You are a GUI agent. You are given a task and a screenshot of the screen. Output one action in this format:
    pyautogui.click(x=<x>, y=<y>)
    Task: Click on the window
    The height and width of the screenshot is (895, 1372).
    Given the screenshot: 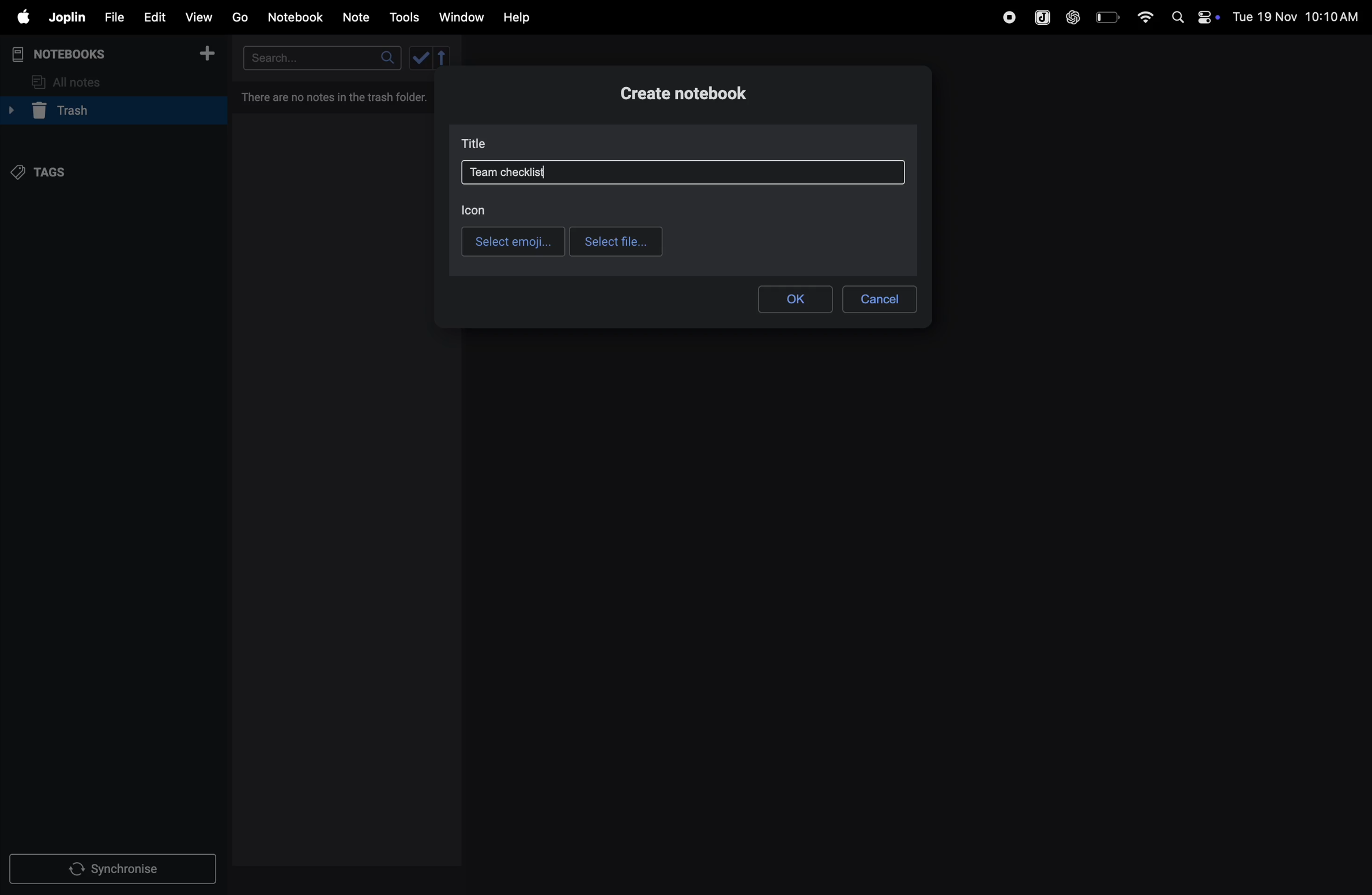 What is the action you would take?
    pyautogui.click(x=461, y=18)
    